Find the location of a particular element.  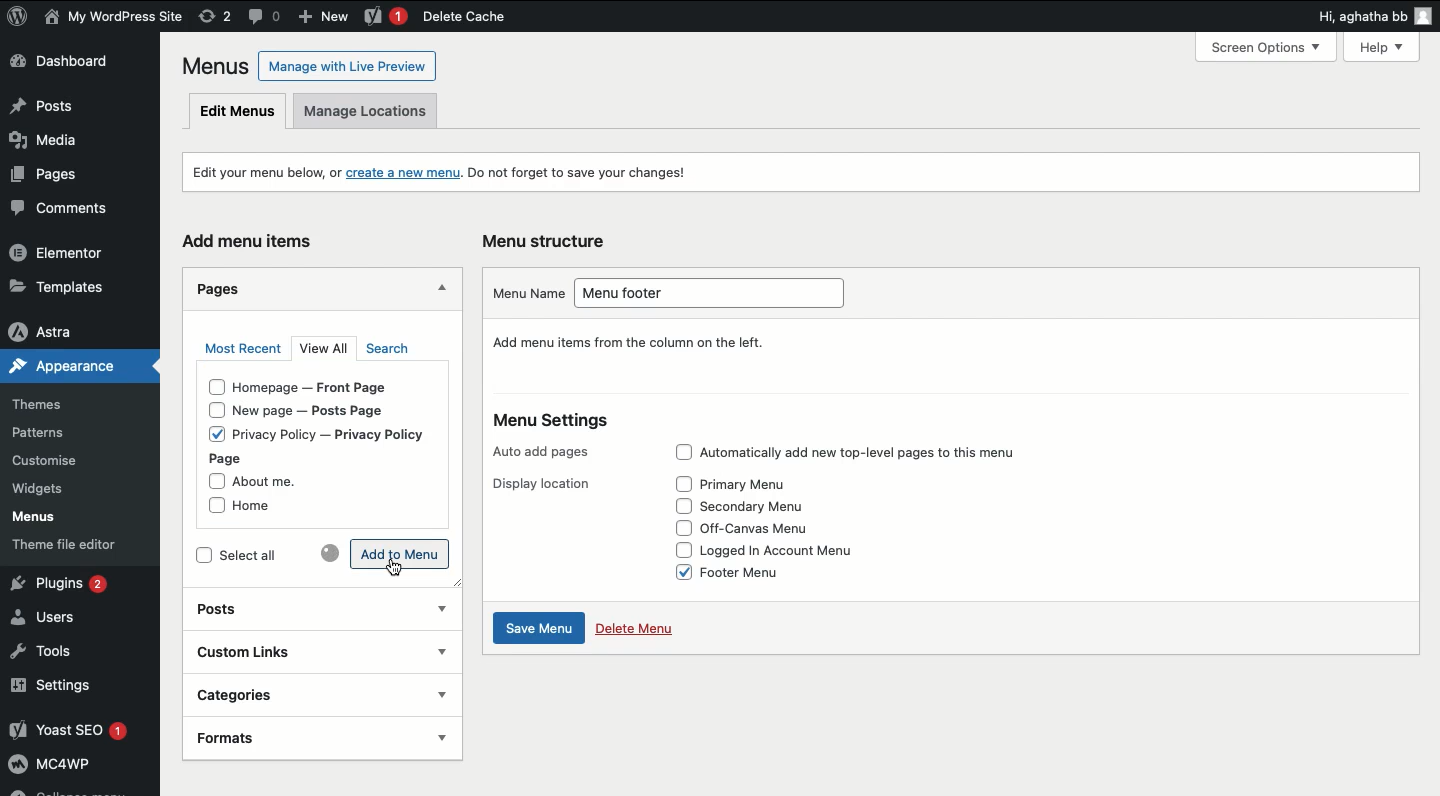

Edit your menu below, or is located at coordinates (254, 171).